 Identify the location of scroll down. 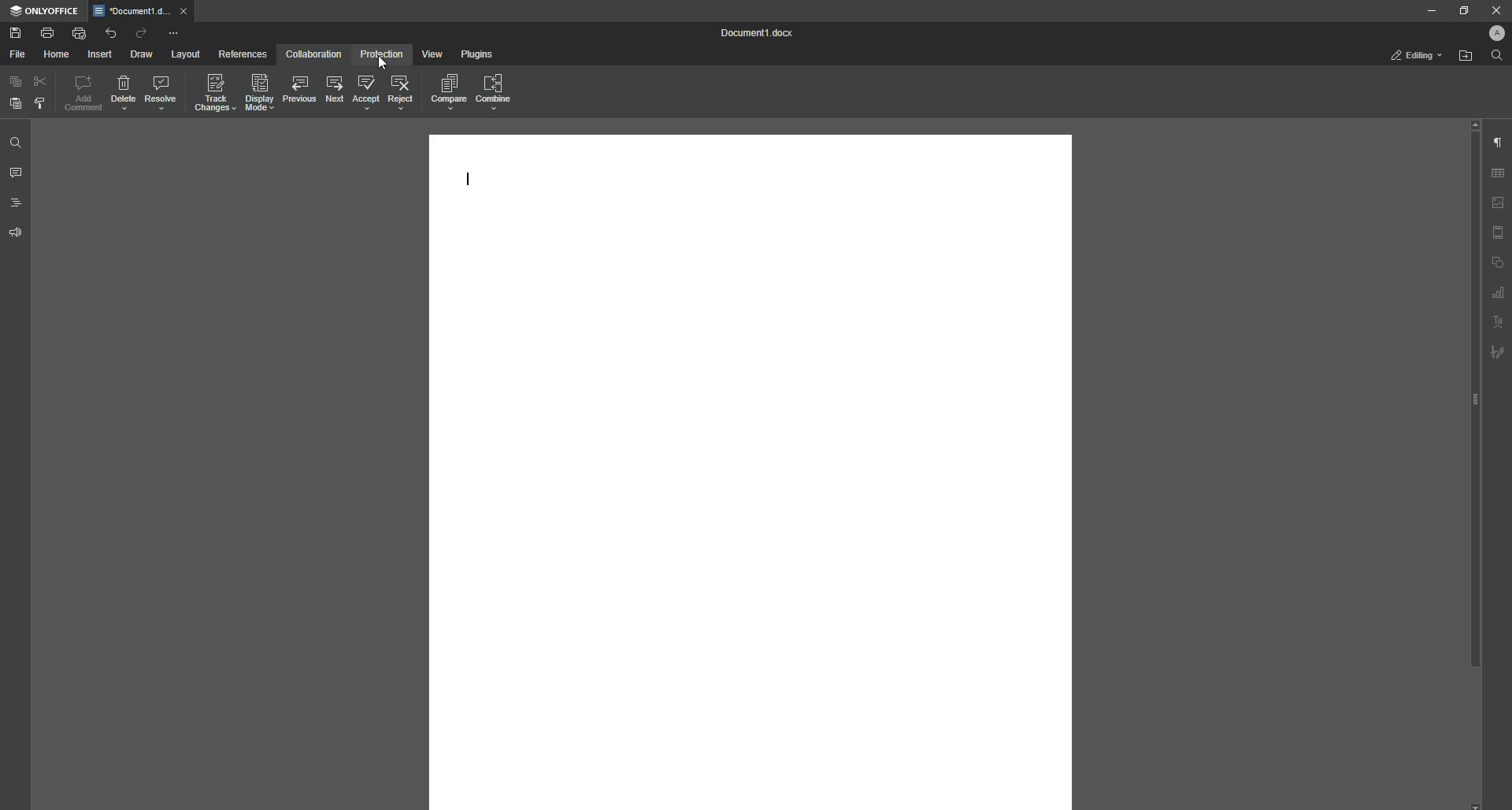
(1473, 804).